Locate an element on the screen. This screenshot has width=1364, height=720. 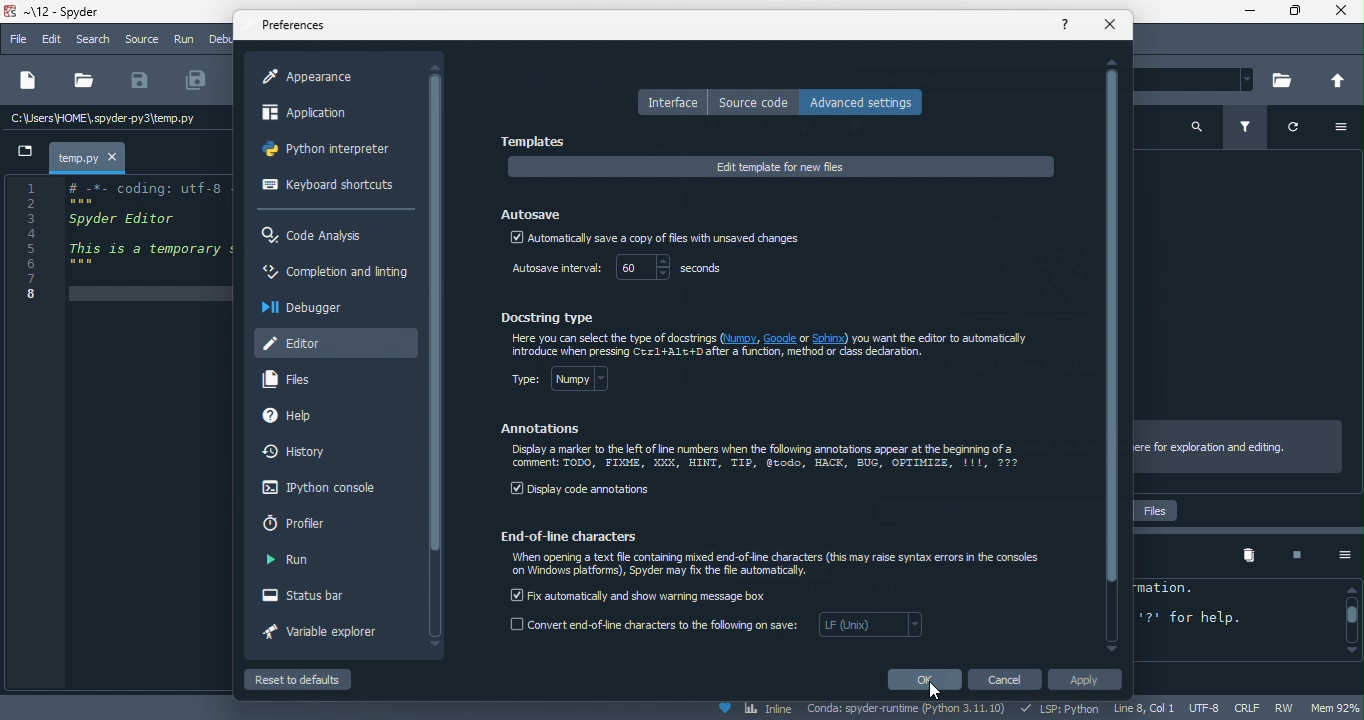
refresh is located at coordinates (1302, 131).